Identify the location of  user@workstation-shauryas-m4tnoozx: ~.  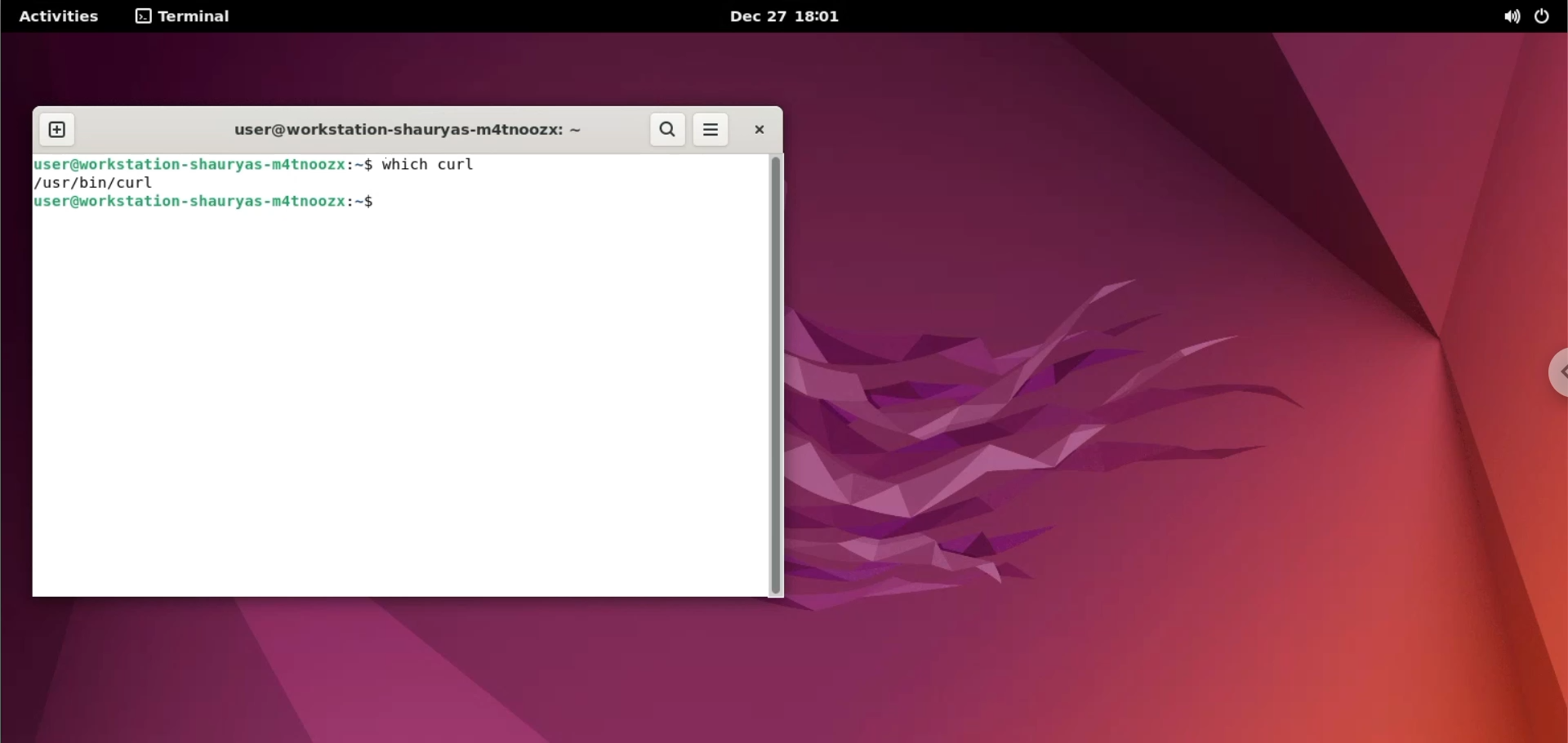
(394, 132).